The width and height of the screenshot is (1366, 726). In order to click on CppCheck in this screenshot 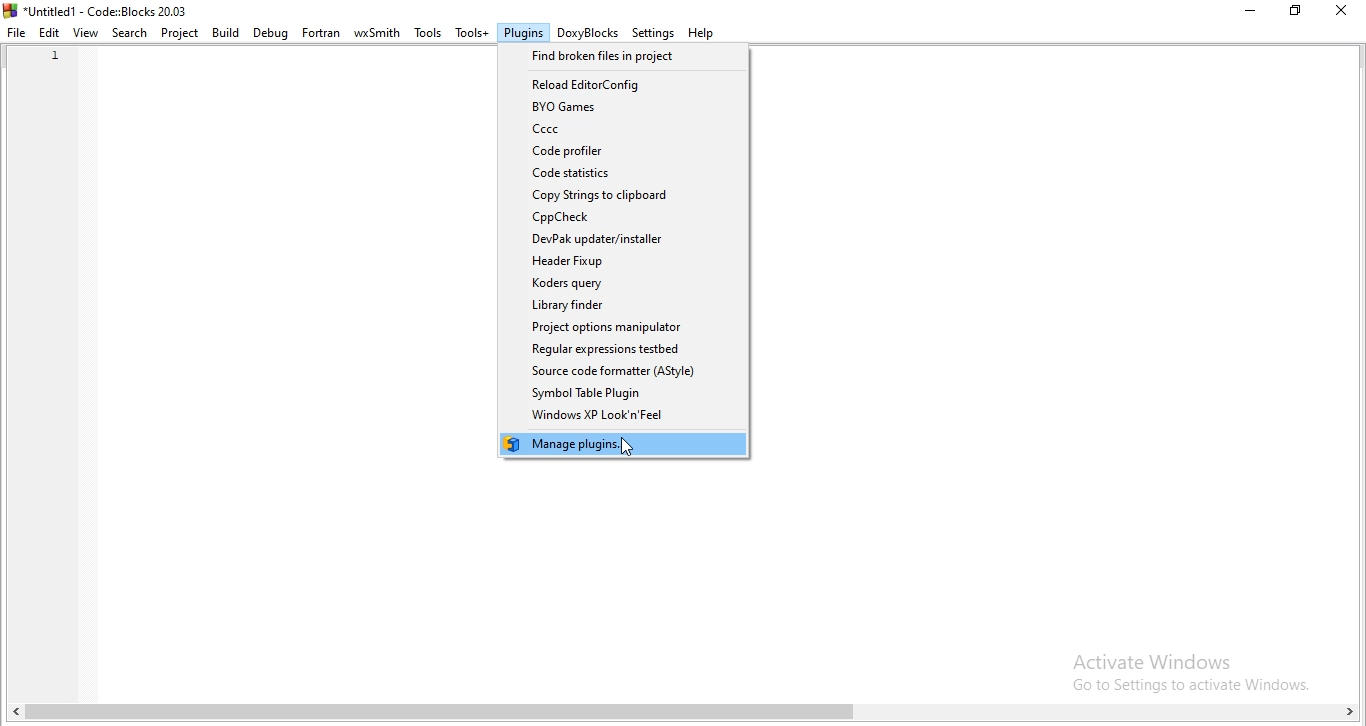, I will do `click(624, 217)`.